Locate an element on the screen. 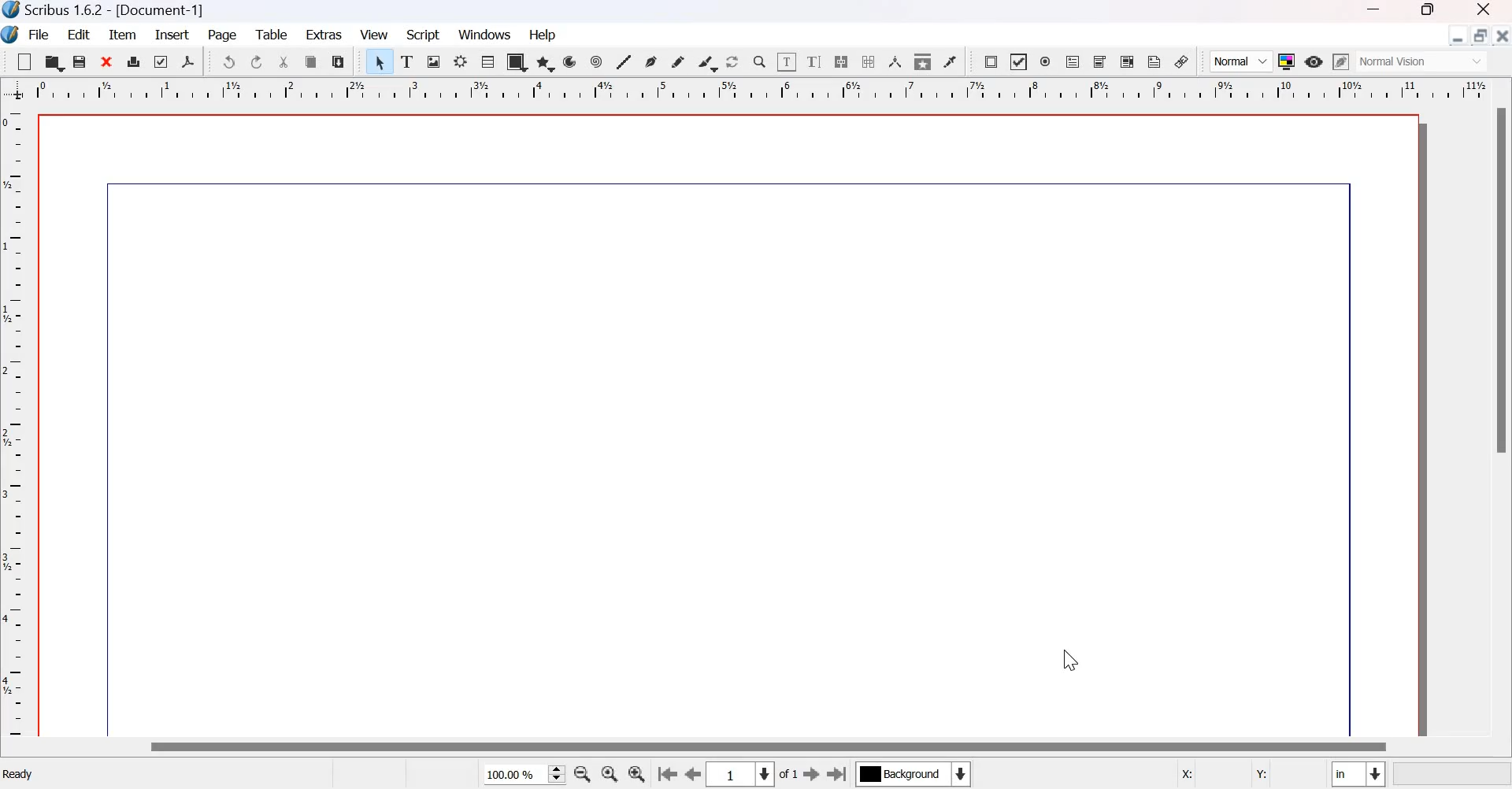  Edit is located at coordinates (80, 34).